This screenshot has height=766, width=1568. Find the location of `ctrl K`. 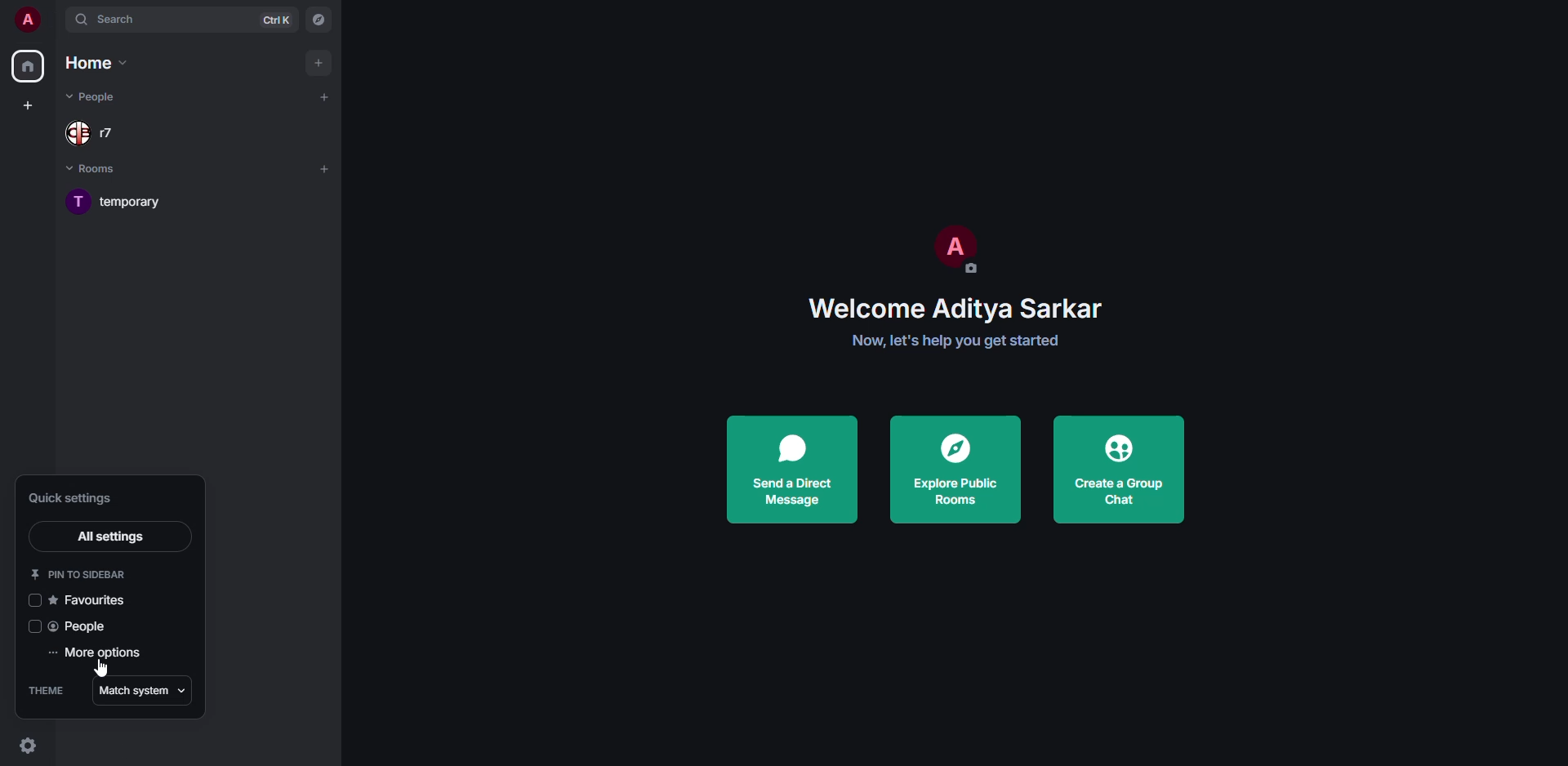

ctrl K is located at coordinates (277, 20).